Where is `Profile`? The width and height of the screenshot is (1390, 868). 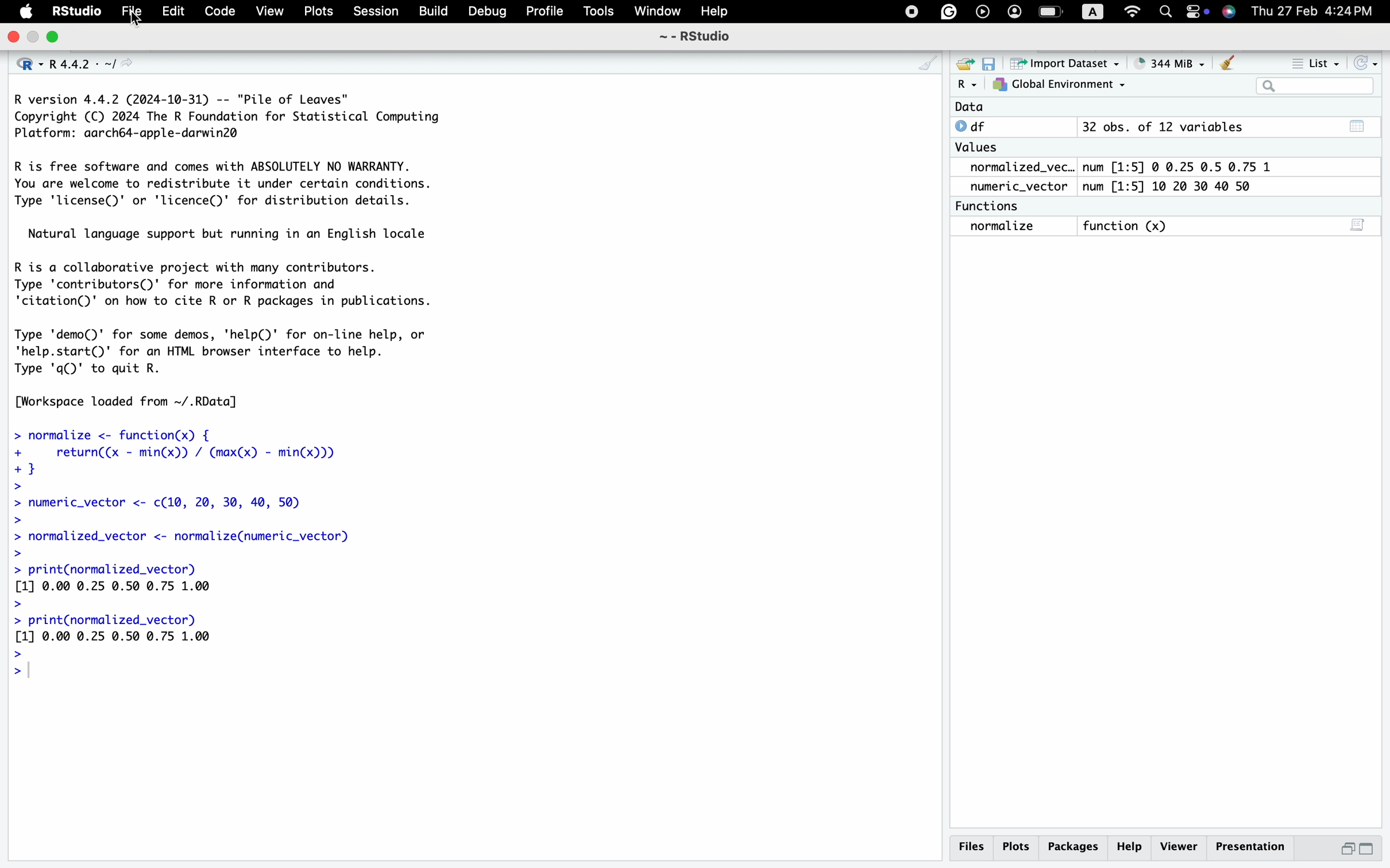 Profile is located at coordinates (543, 12).